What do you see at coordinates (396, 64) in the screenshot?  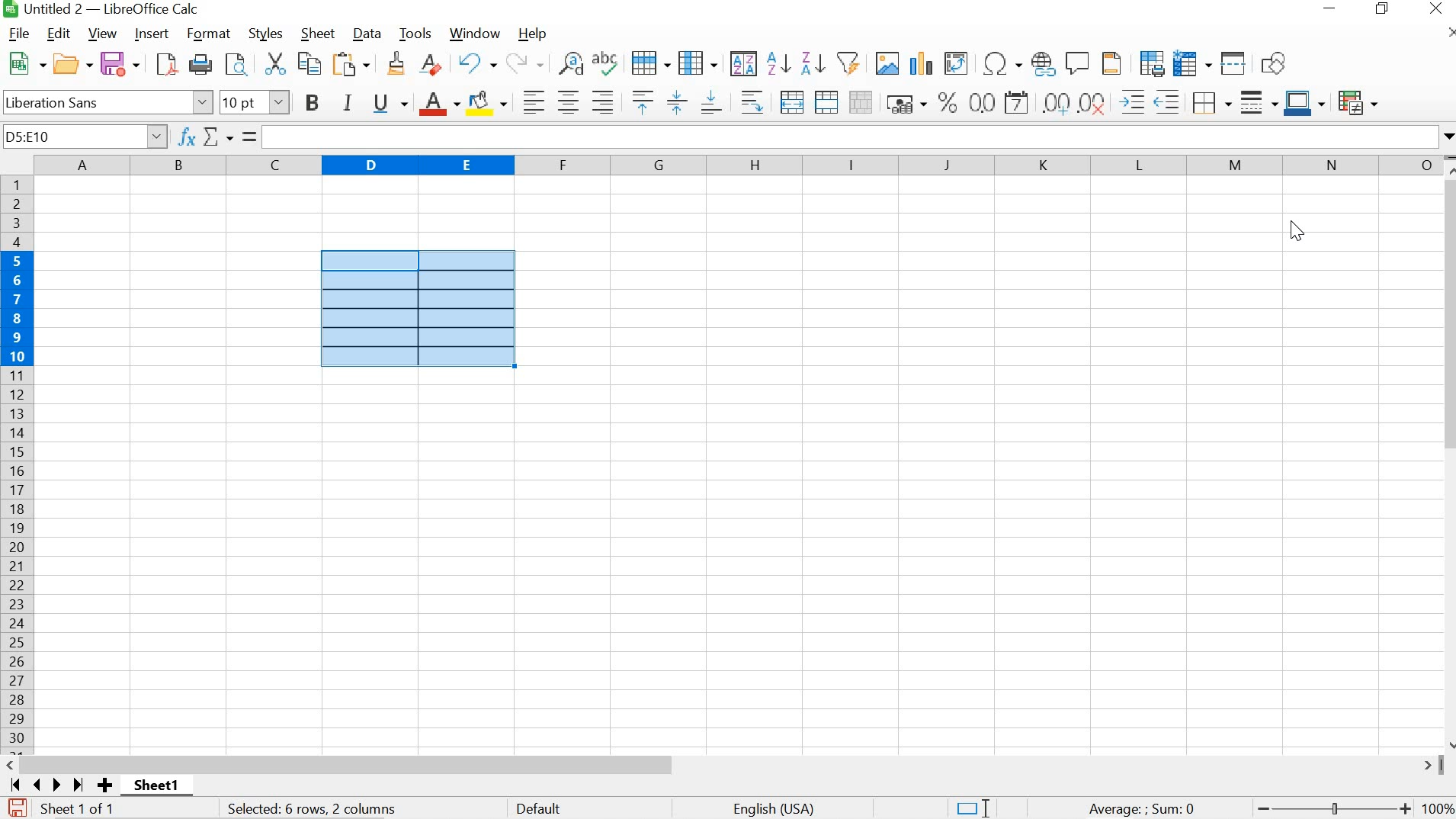 I see `clone formatting` at bounding box center [396, 64].